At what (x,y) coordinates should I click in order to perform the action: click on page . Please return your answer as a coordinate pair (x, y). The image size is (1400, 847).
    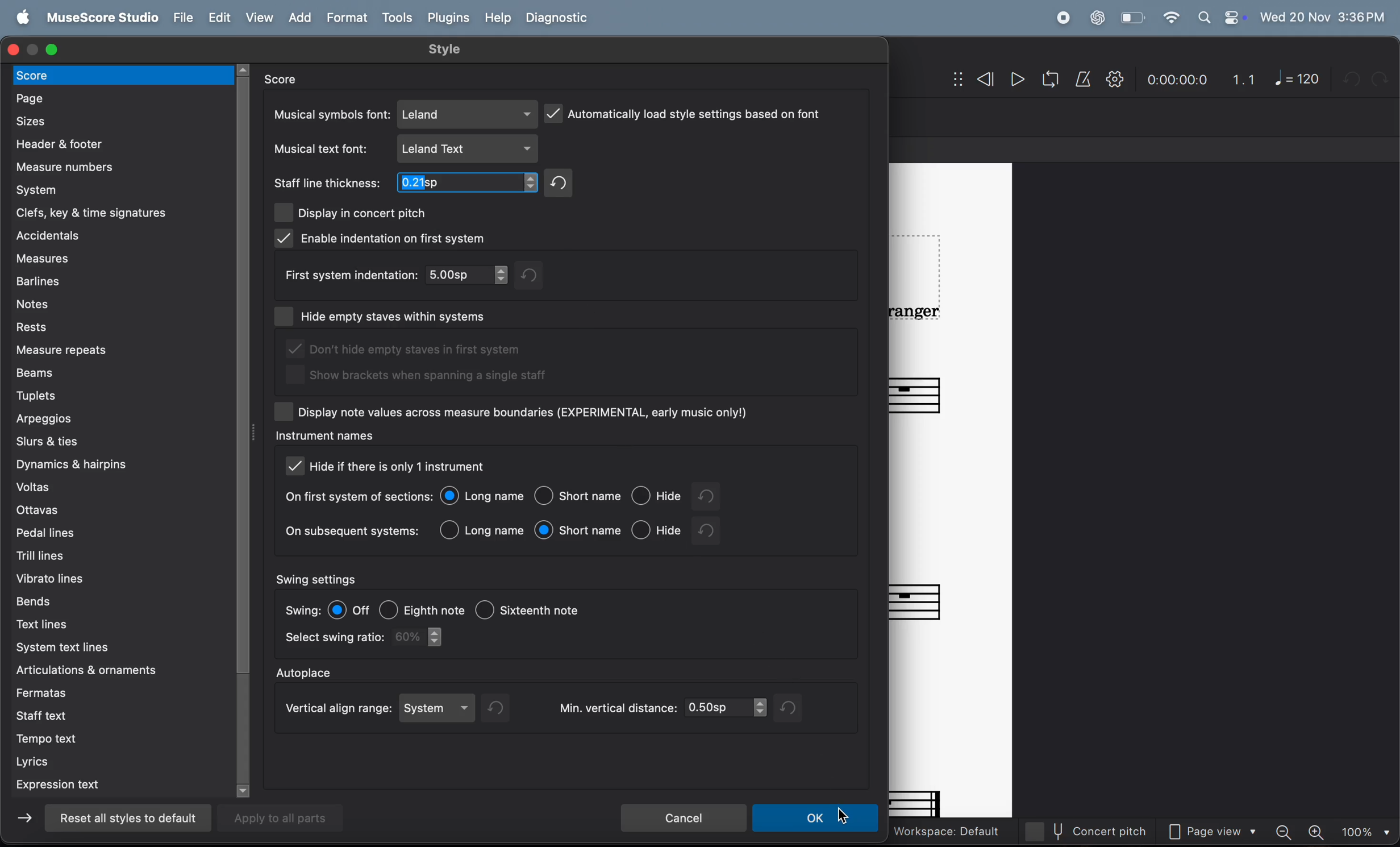
    Looking at the image, I should click on (121, 97).